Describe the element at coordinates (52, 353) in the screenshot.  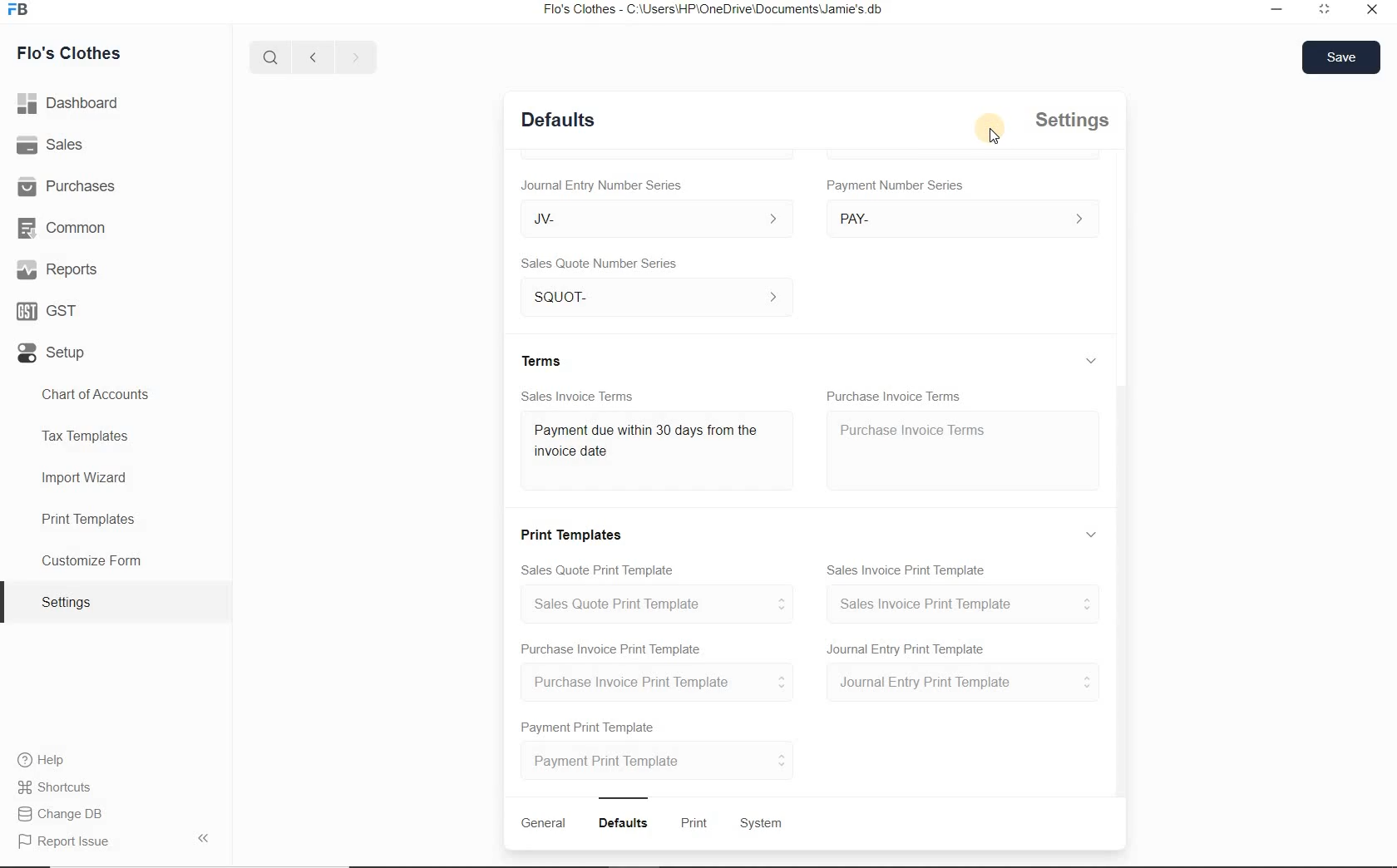
I see `Setup` at that location.